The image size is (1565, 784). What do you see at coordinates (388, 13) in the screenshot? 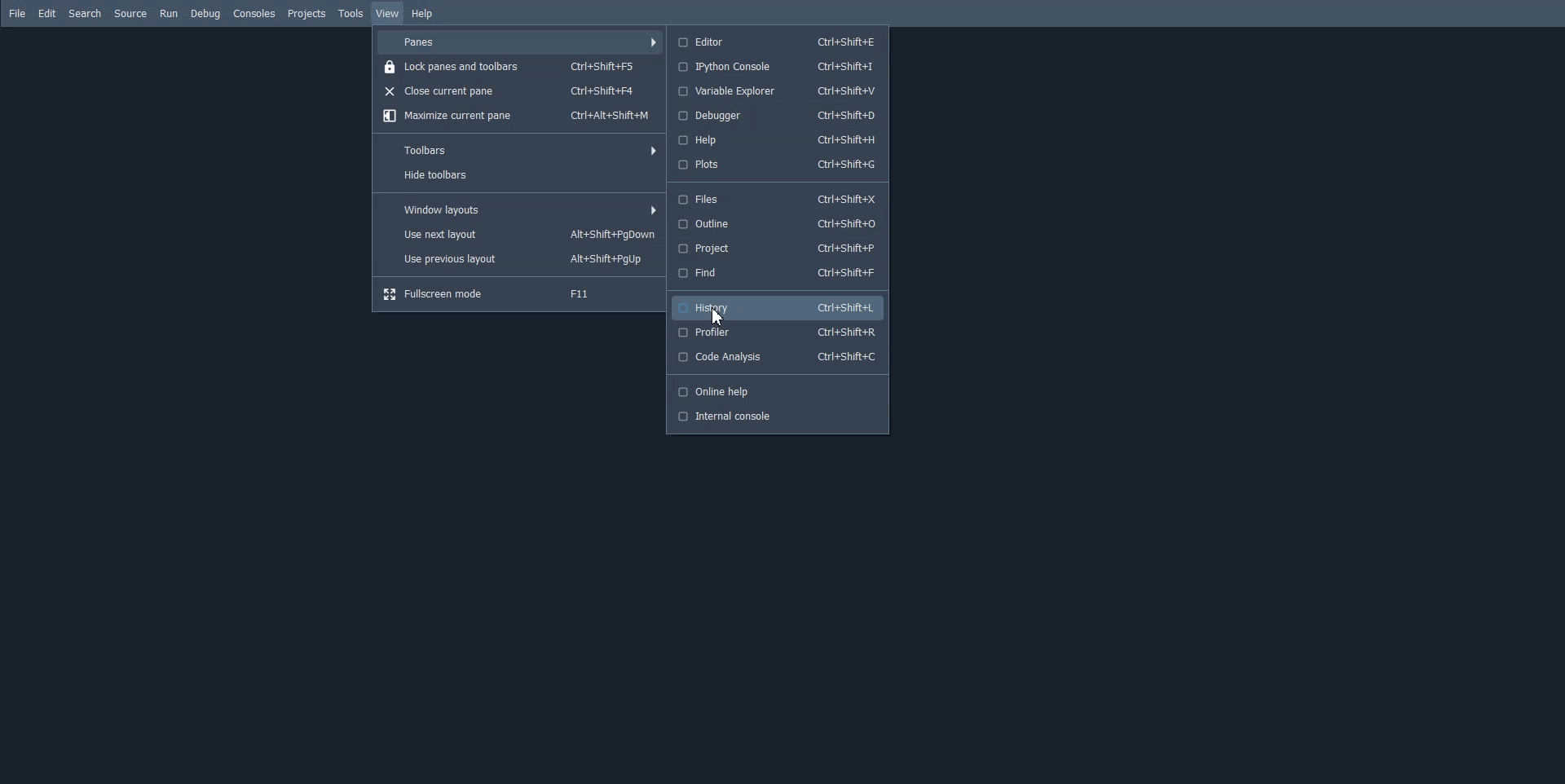
I see `View` at bounding box center [388, 13].